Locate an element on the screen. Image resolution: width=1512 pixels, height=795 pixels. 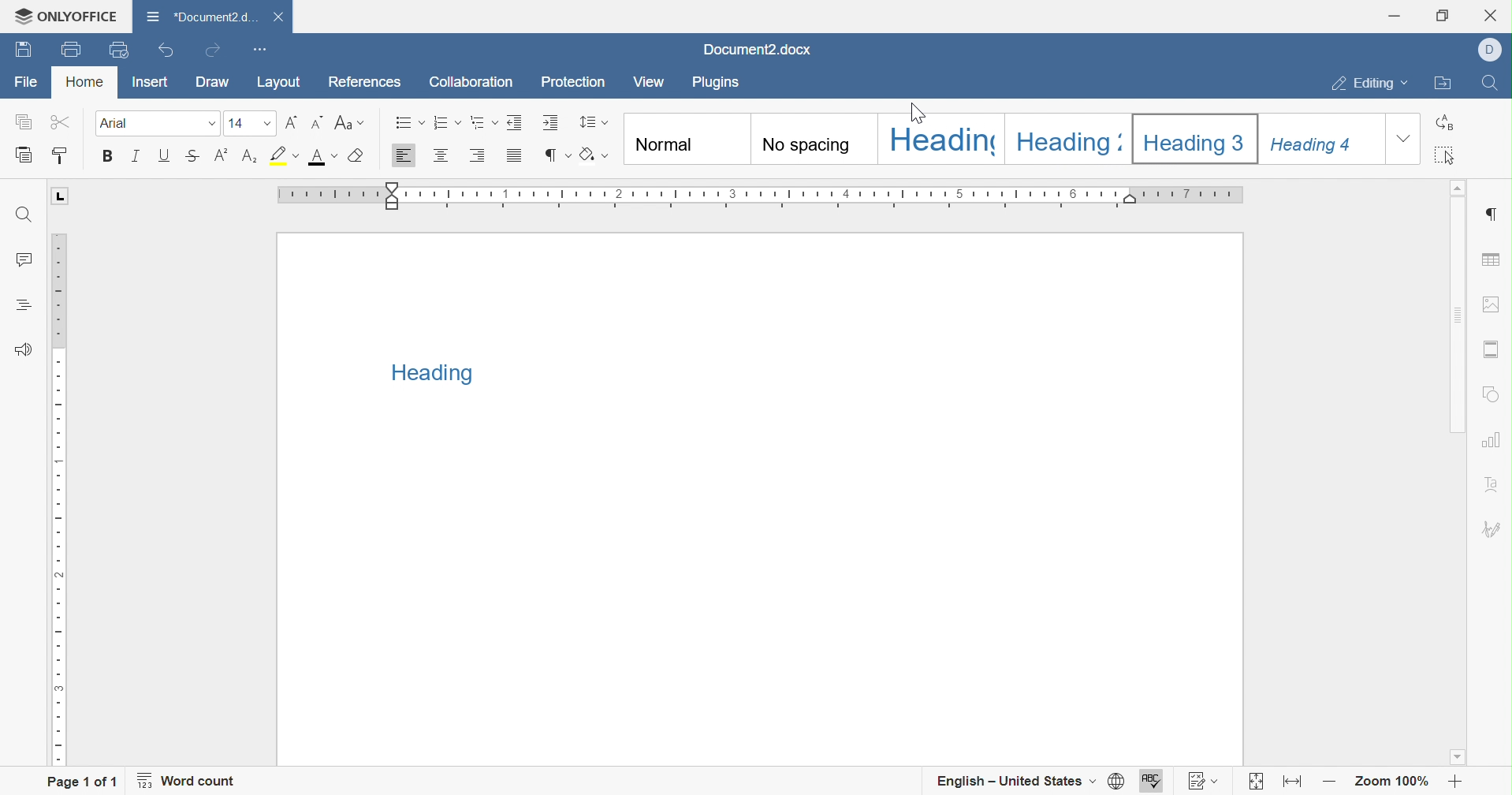
Zoom out is located at coordinates (1327, 784).